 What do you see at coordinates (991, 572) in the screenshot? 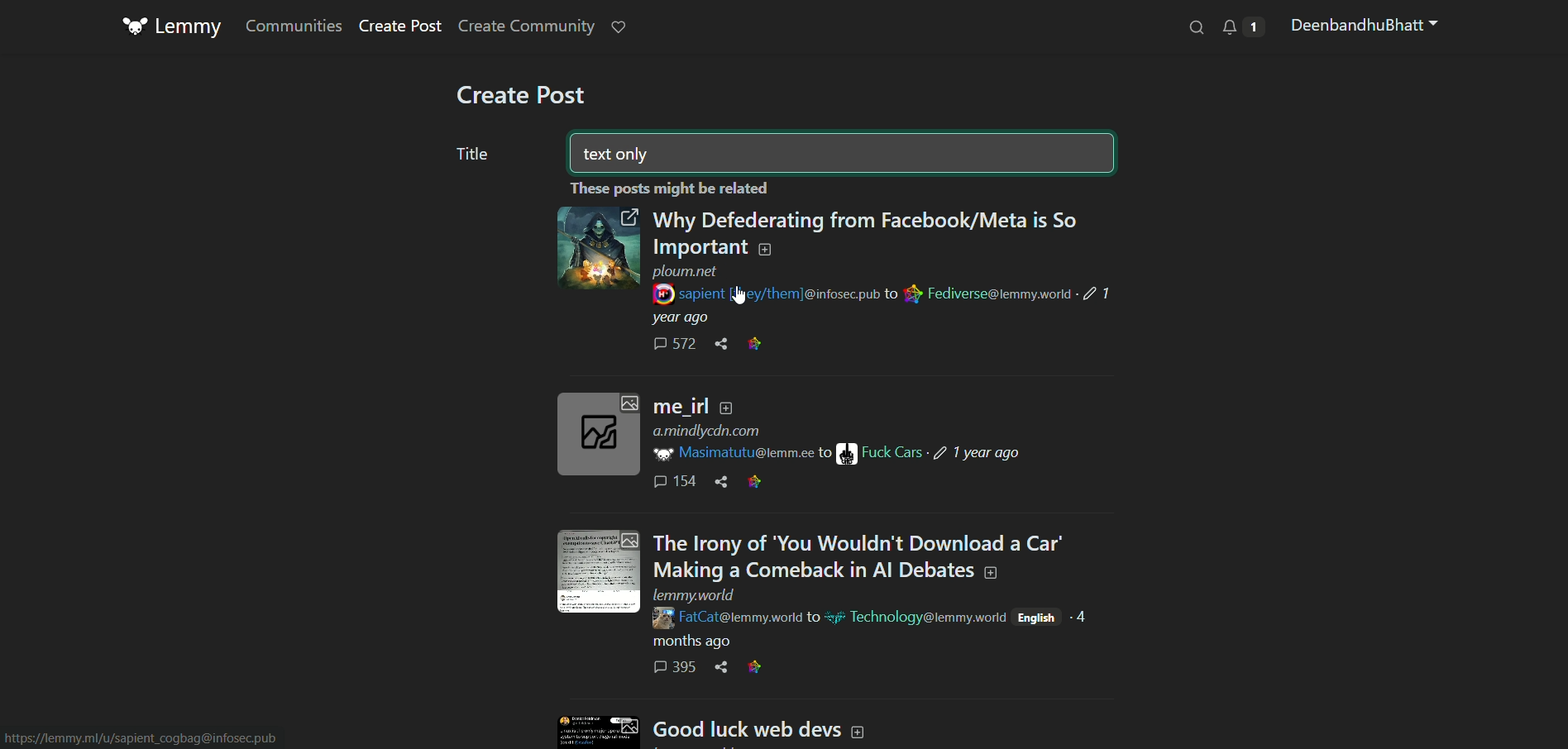
I see `Add` at bounding box center [991, 572].